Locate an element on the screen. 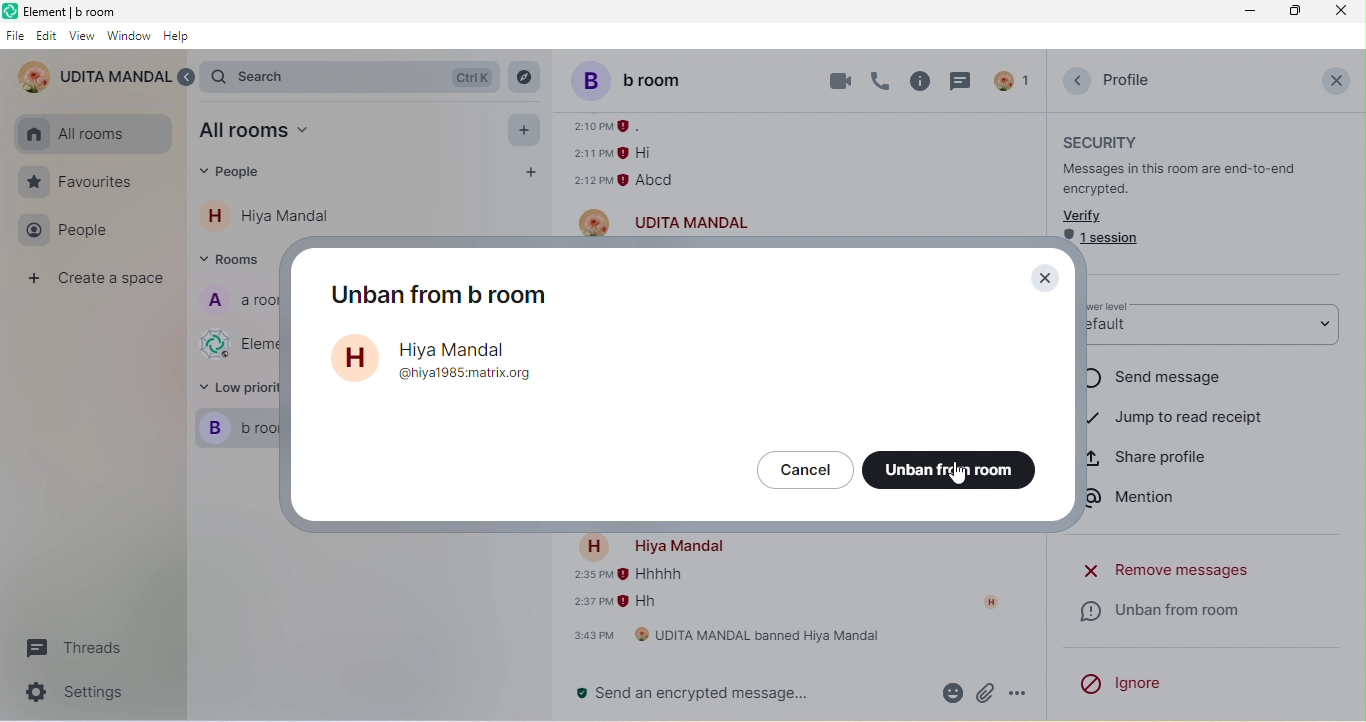  option is located at coordinates (1018, 694).